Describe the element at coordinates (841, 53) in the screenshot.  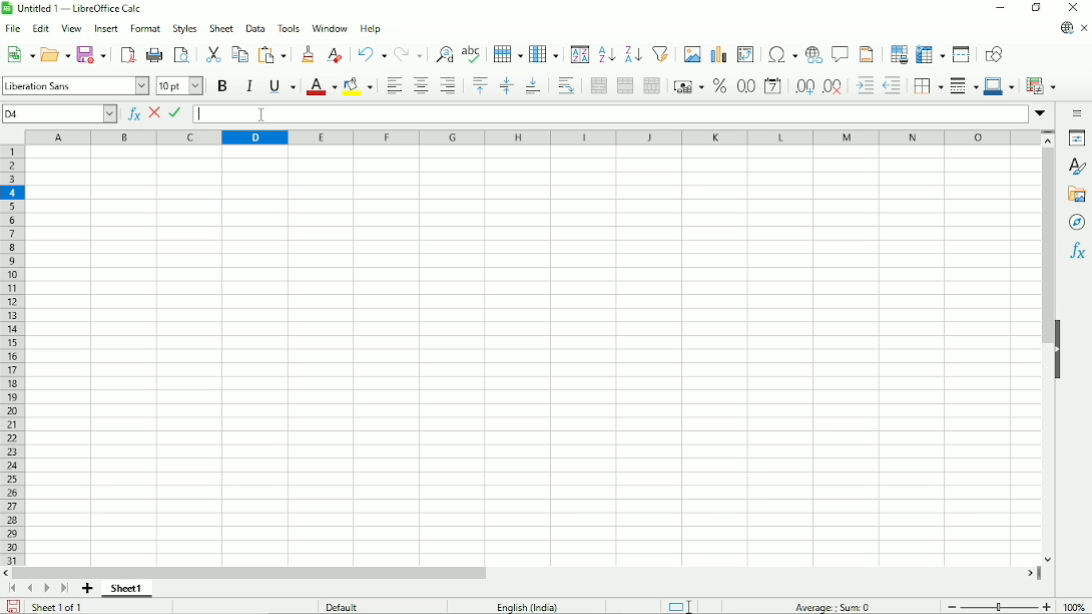
I see `Insert comment` at that location.